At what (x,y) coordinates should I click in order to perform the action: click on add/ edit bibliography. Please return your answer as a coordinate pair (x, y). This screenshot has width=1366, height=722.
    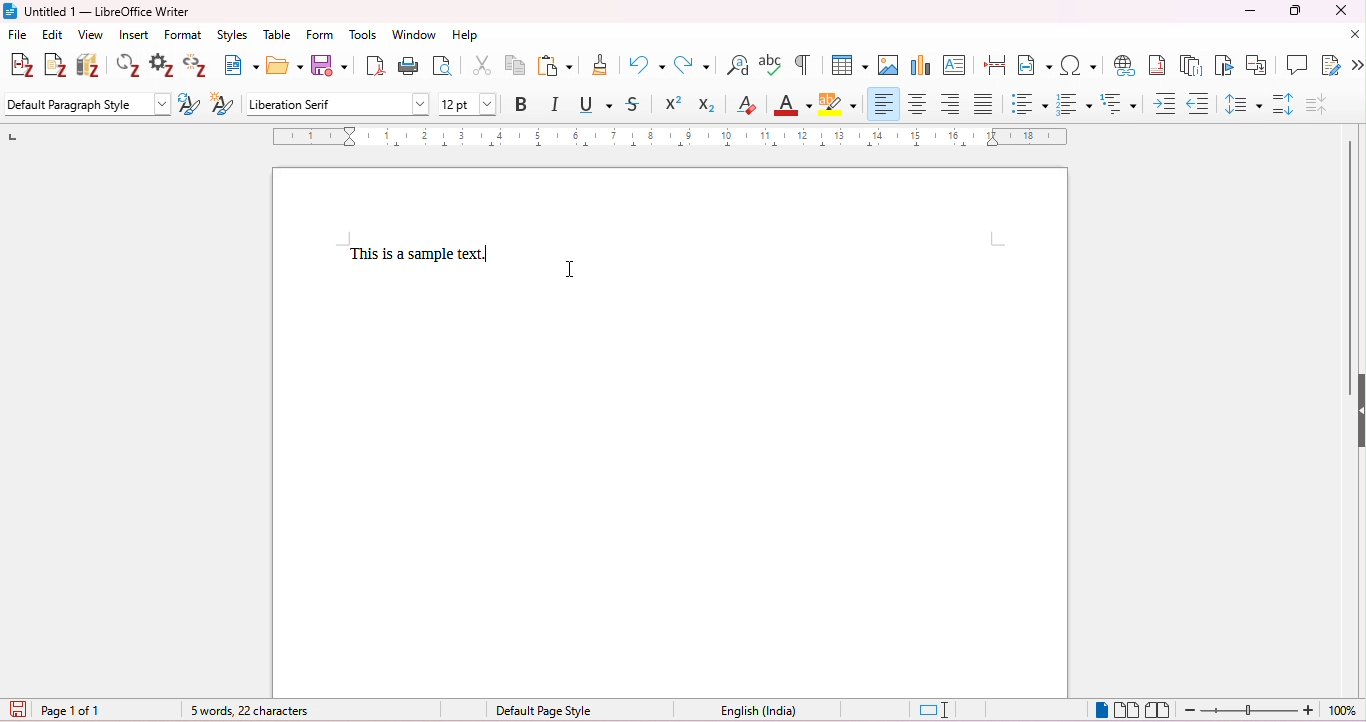
    Looking at the image, I should click on (90, 66).